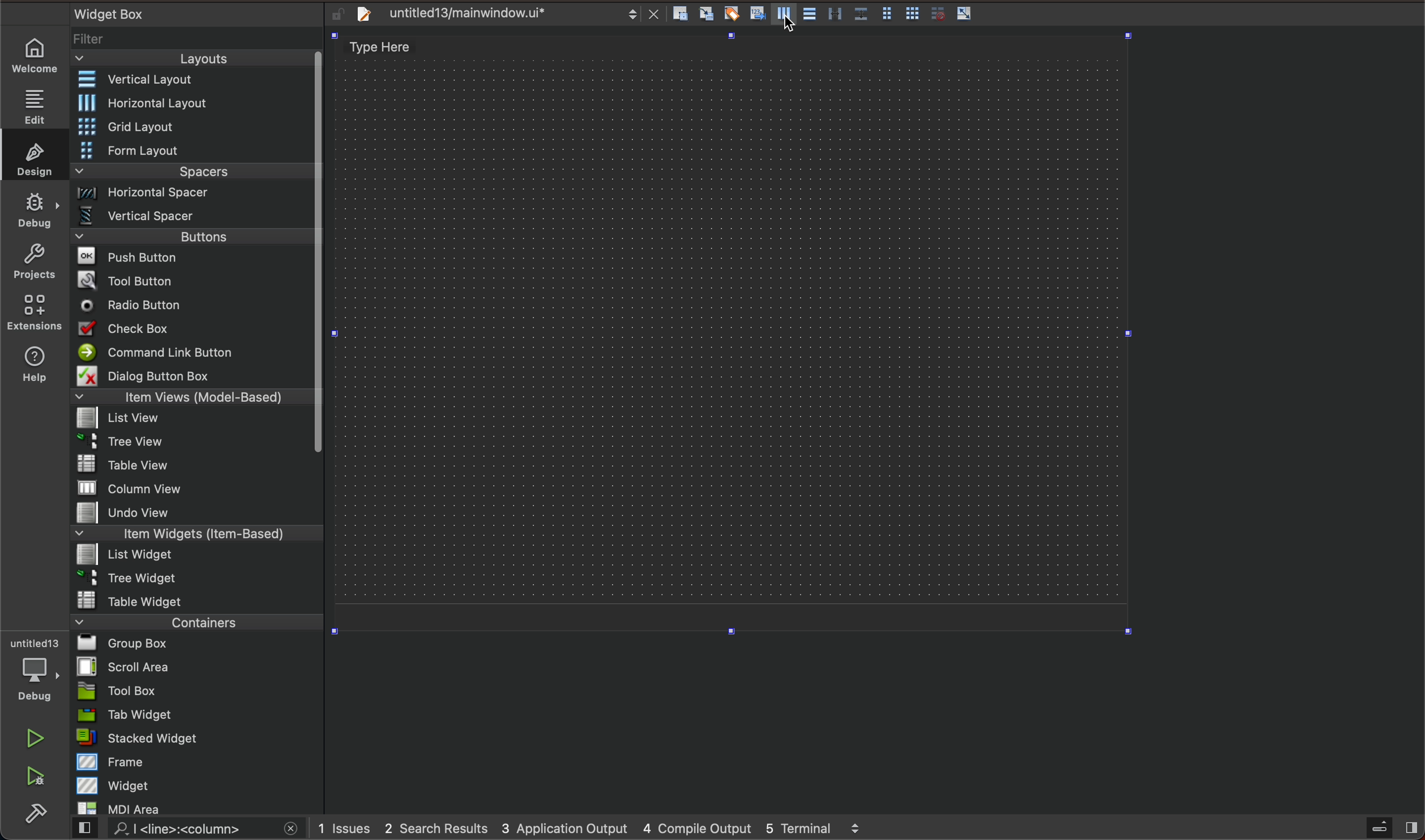  Describe the element at coordinates (602, 828) in the screenshot. I see `logs` at that location.